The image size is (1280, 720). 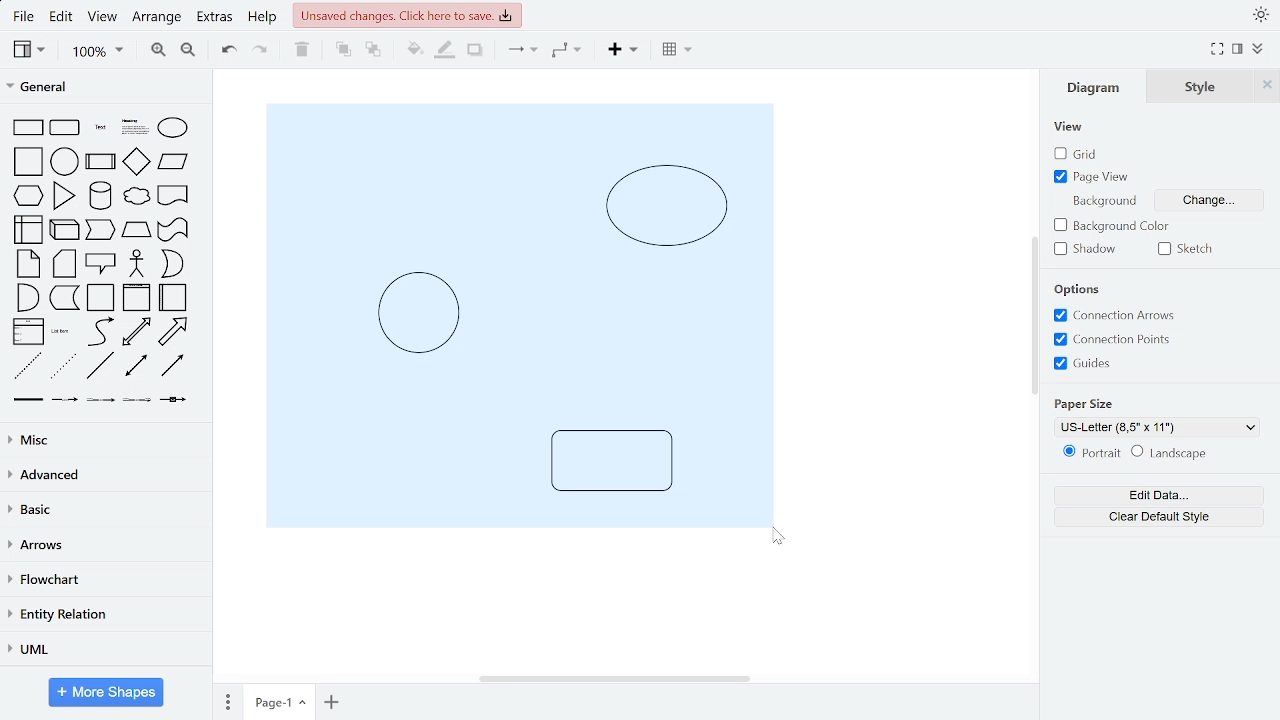 I want to click on flowchart, so click(x=101, y=581).